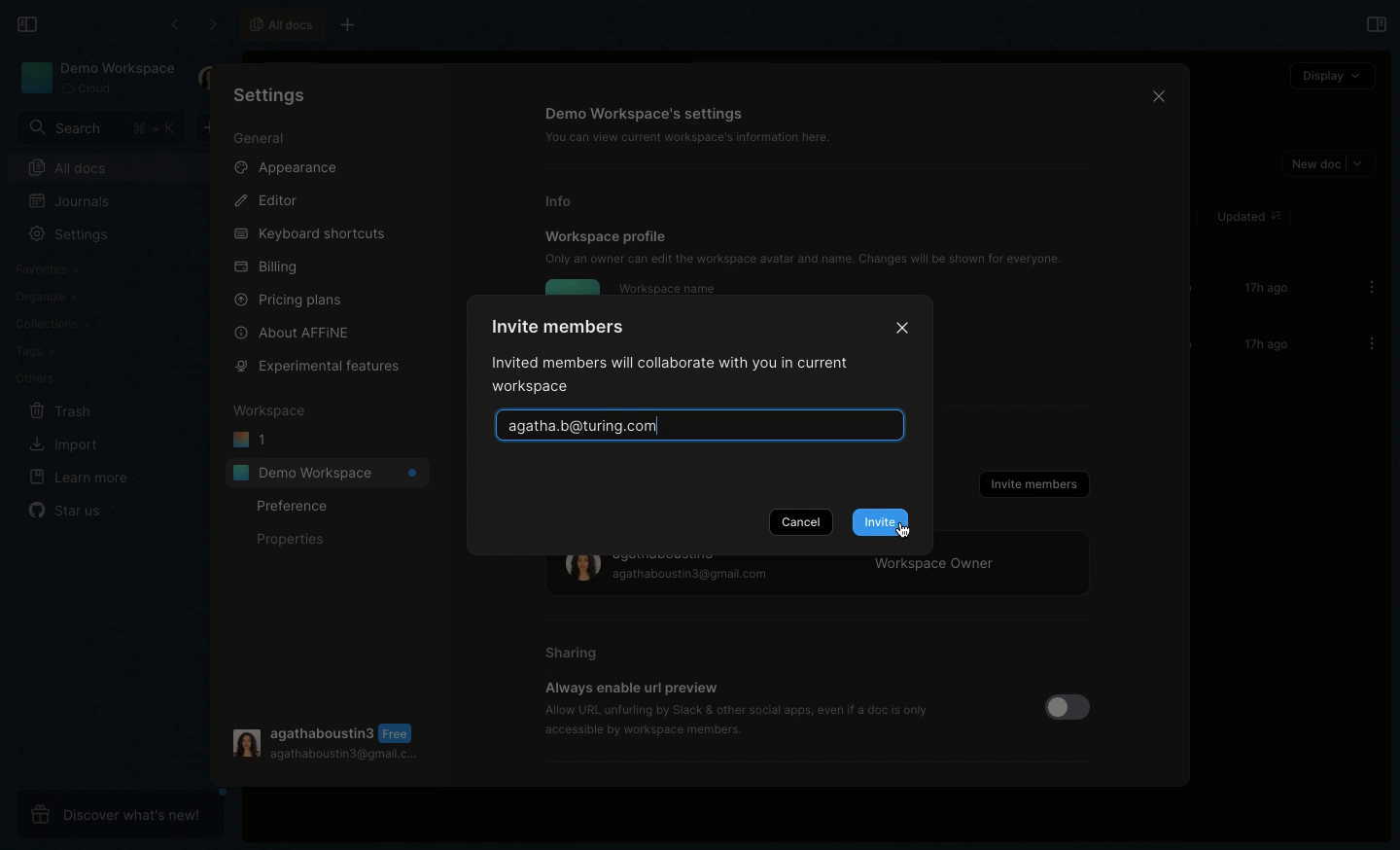 The image size is (1400, 850). What do you see at coordinates (647, 113) in the screenshot?
I see `Demo workspace's settings` at bounding box center [647, 113].